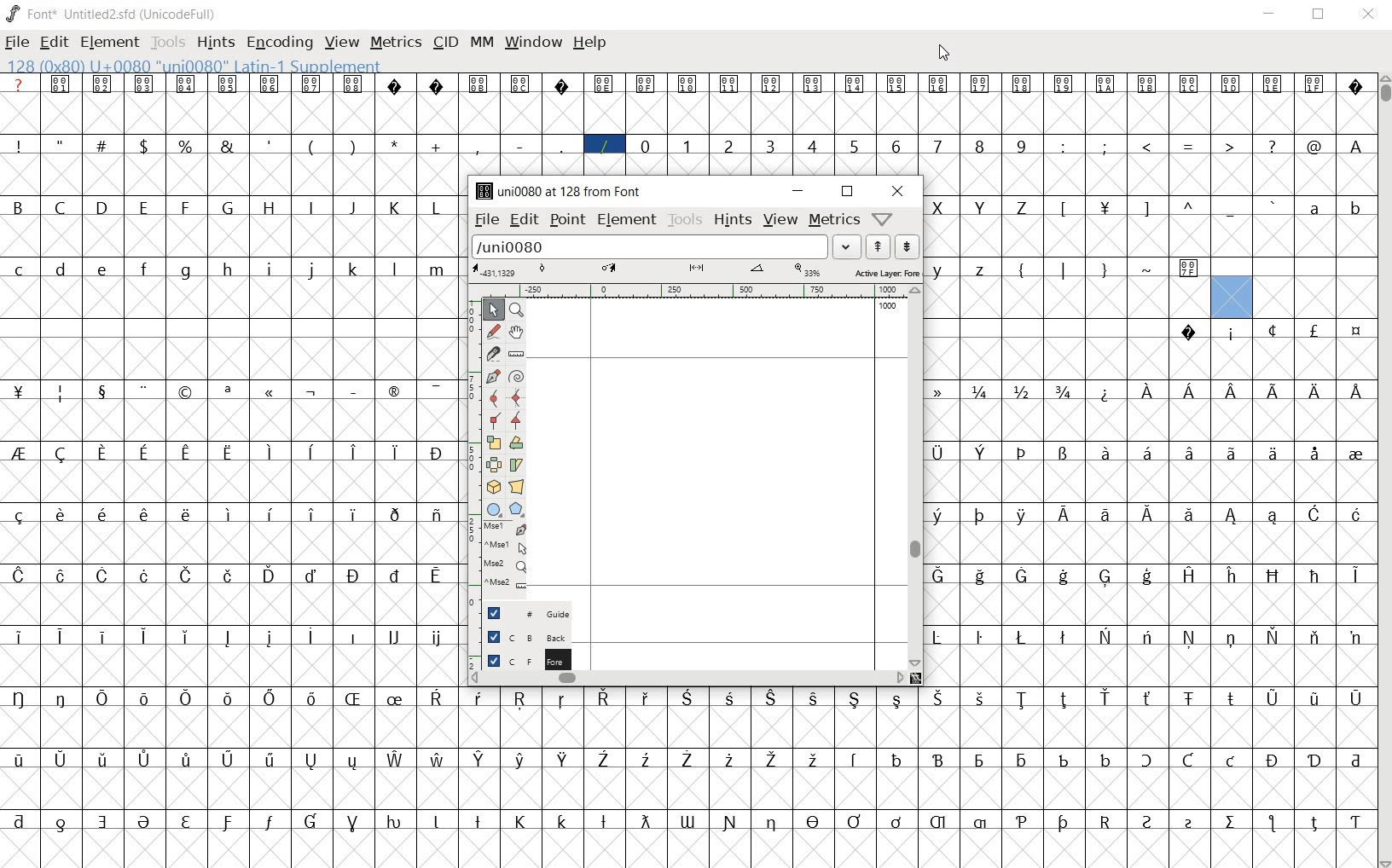 The image size is (1392, 868). I want to click on glyph, so click(436, 697).